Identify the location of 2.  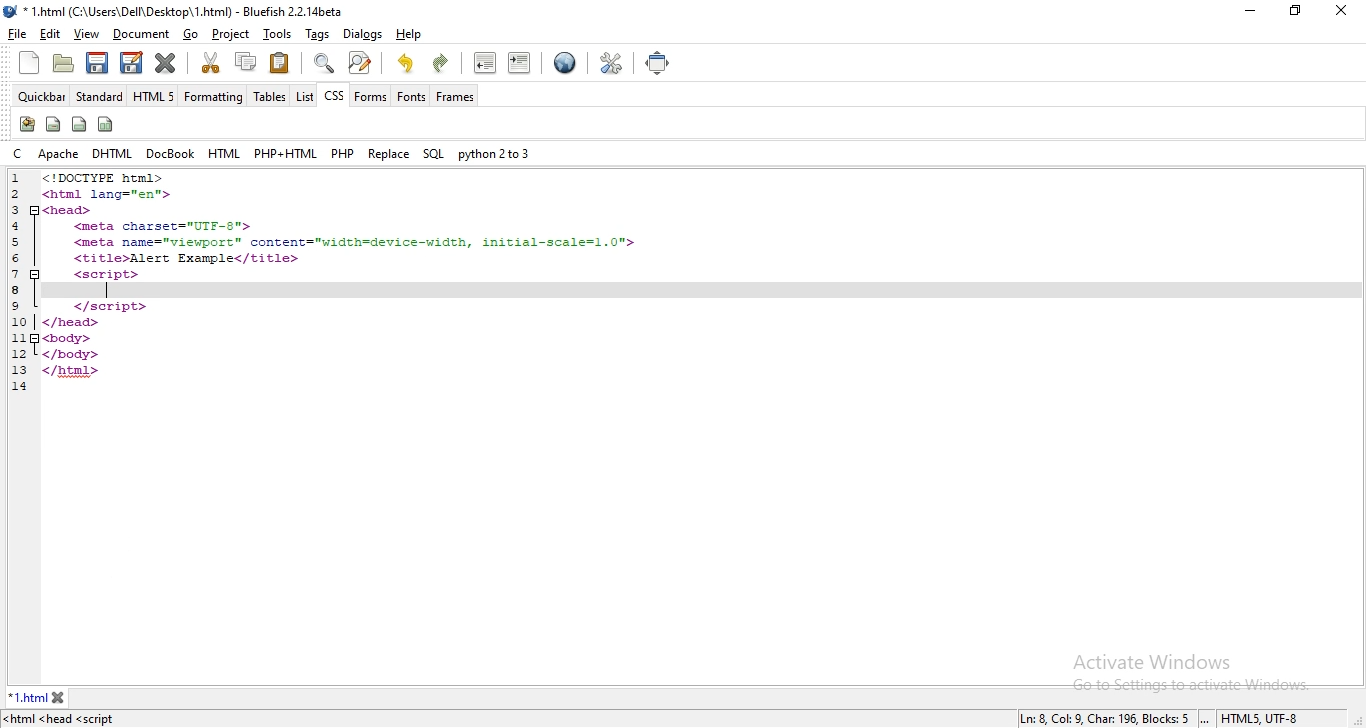
(21, 194).